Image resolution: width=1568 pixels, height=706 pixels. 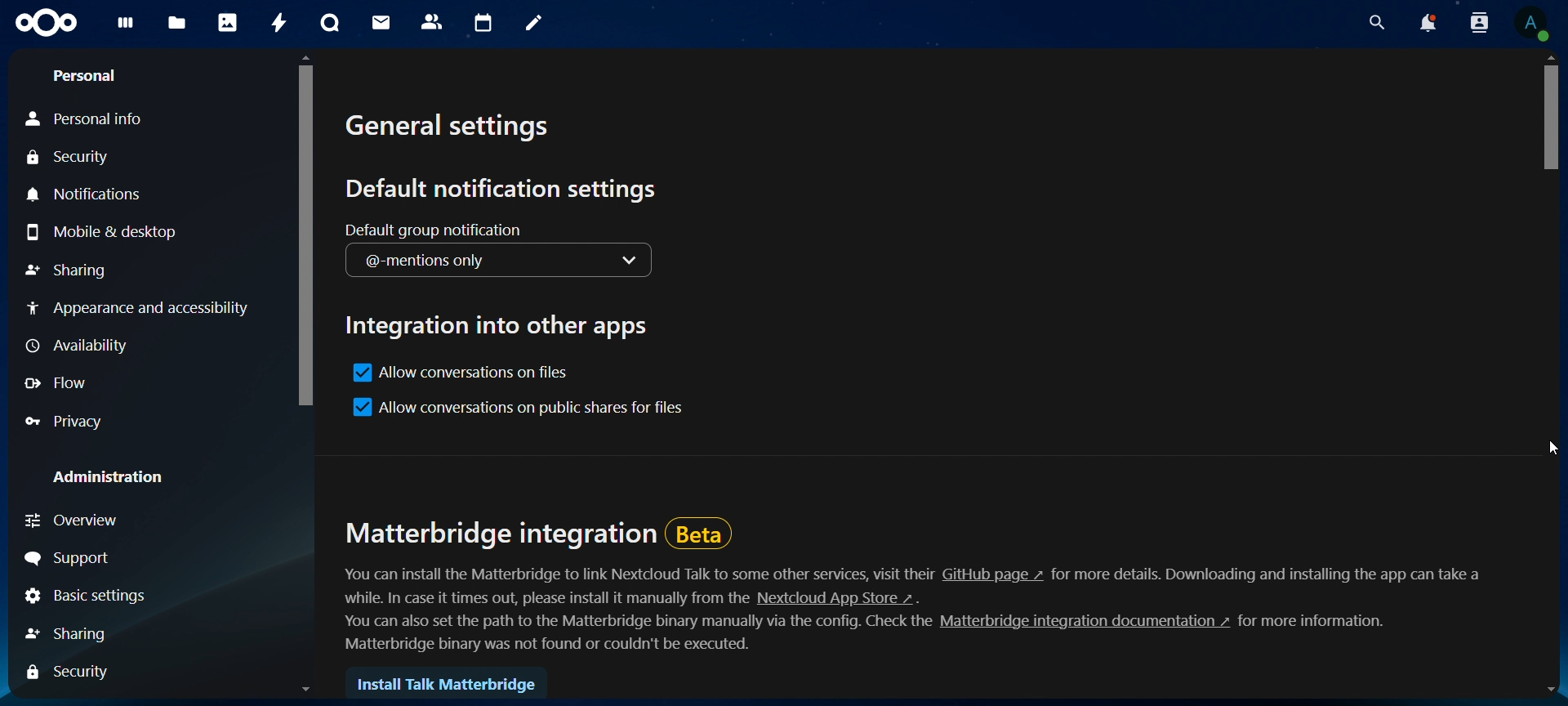 What do you see at coordinates (912, 608) in the screenshot?
I see `You can install the Matterbridge to link Nextcloud Talk to some other services, visit their GitHub page ~ for more details. Downloading and installing the app can take a
while. In case it times out, please install it manually from the Nextcloud App Store ~.

You can also set the path to the Matterbridge binary manually via the config. Check the Matterbridge integration documentation » for more information.

Matterbridge binary was not found or couldn't be executed.` at bounding box center [912, 608].